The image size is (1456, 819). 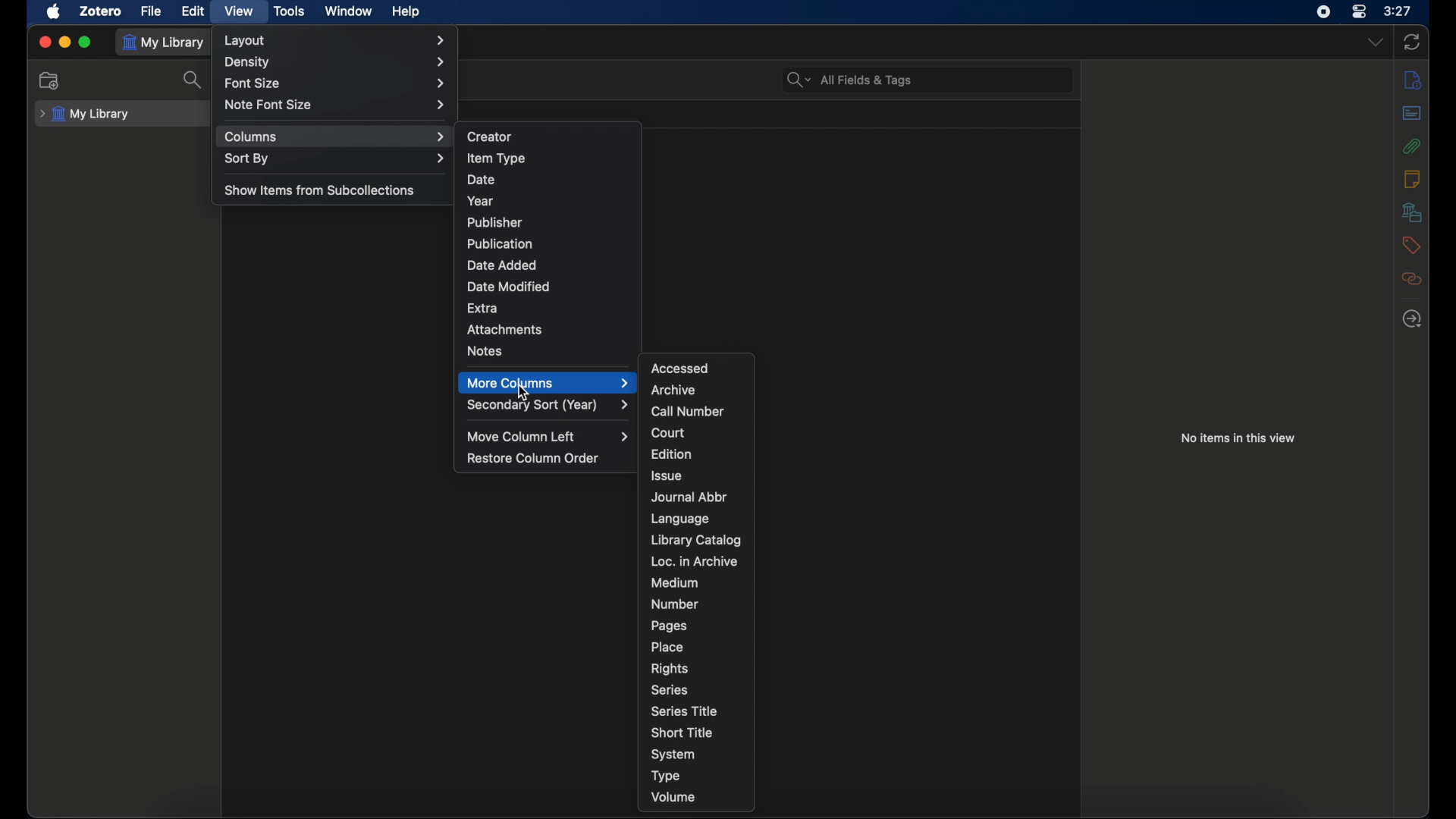 What do you see at coordinates (490, 136) in the screenshot?
I see `creator` at bounding box center [490, 136].